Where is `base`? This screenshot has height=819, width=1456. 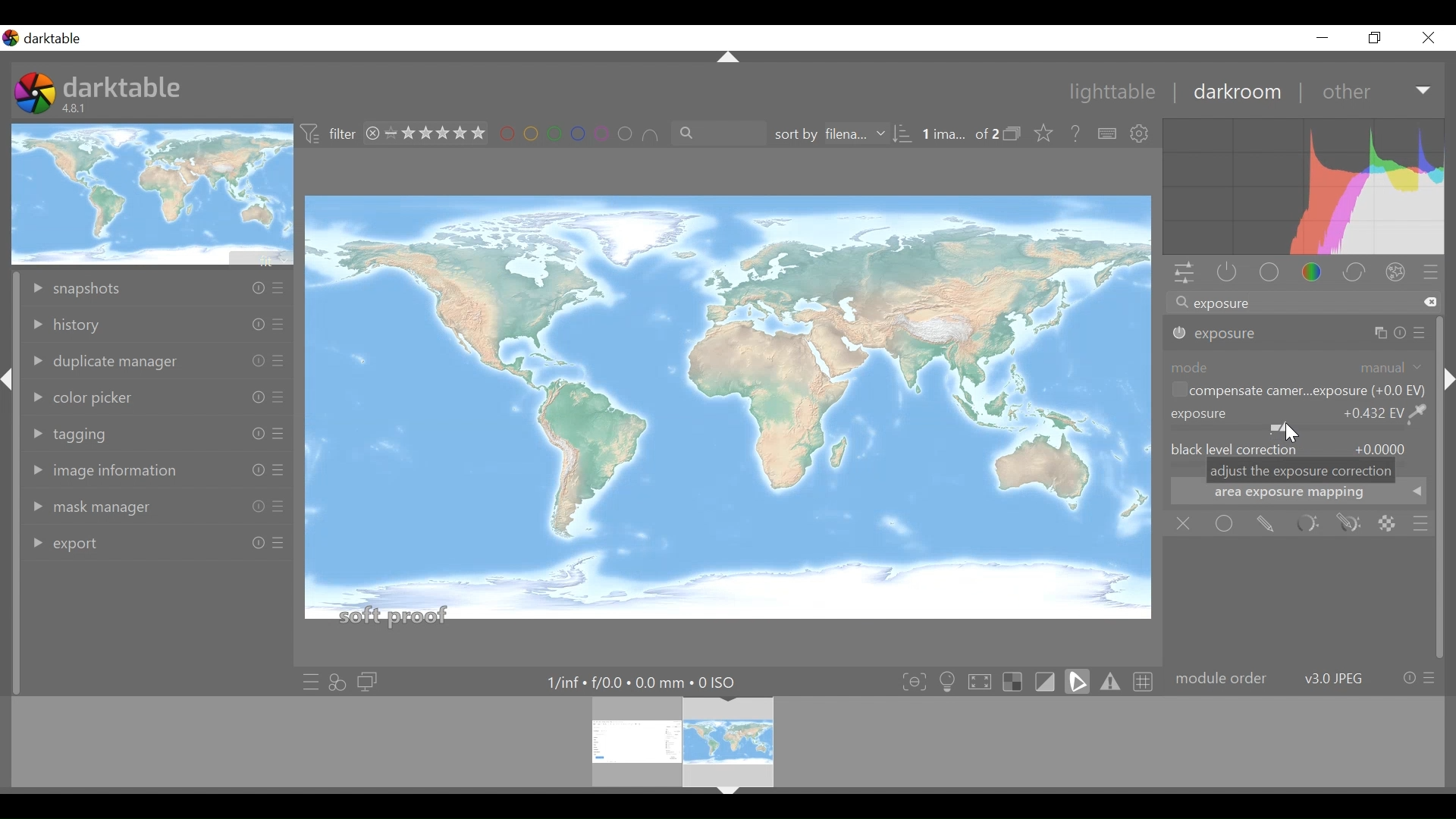
base is located at coordinates (1271, 274).